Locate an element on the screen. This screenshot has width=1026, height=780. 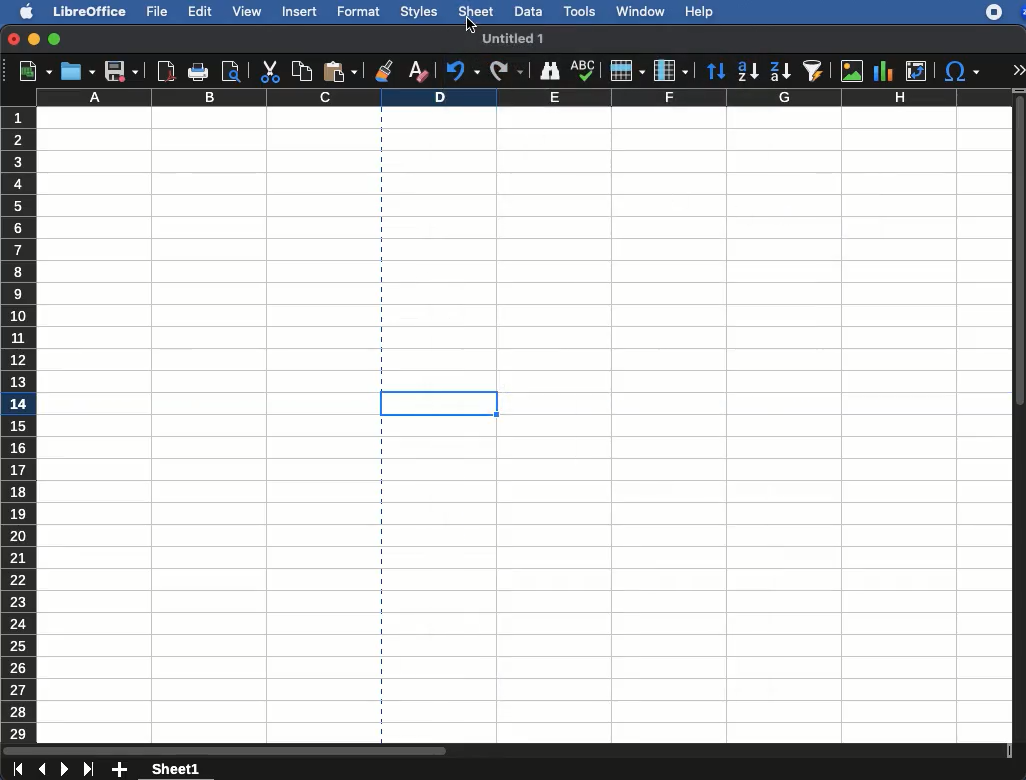
new is located at coordinates (29, 73).